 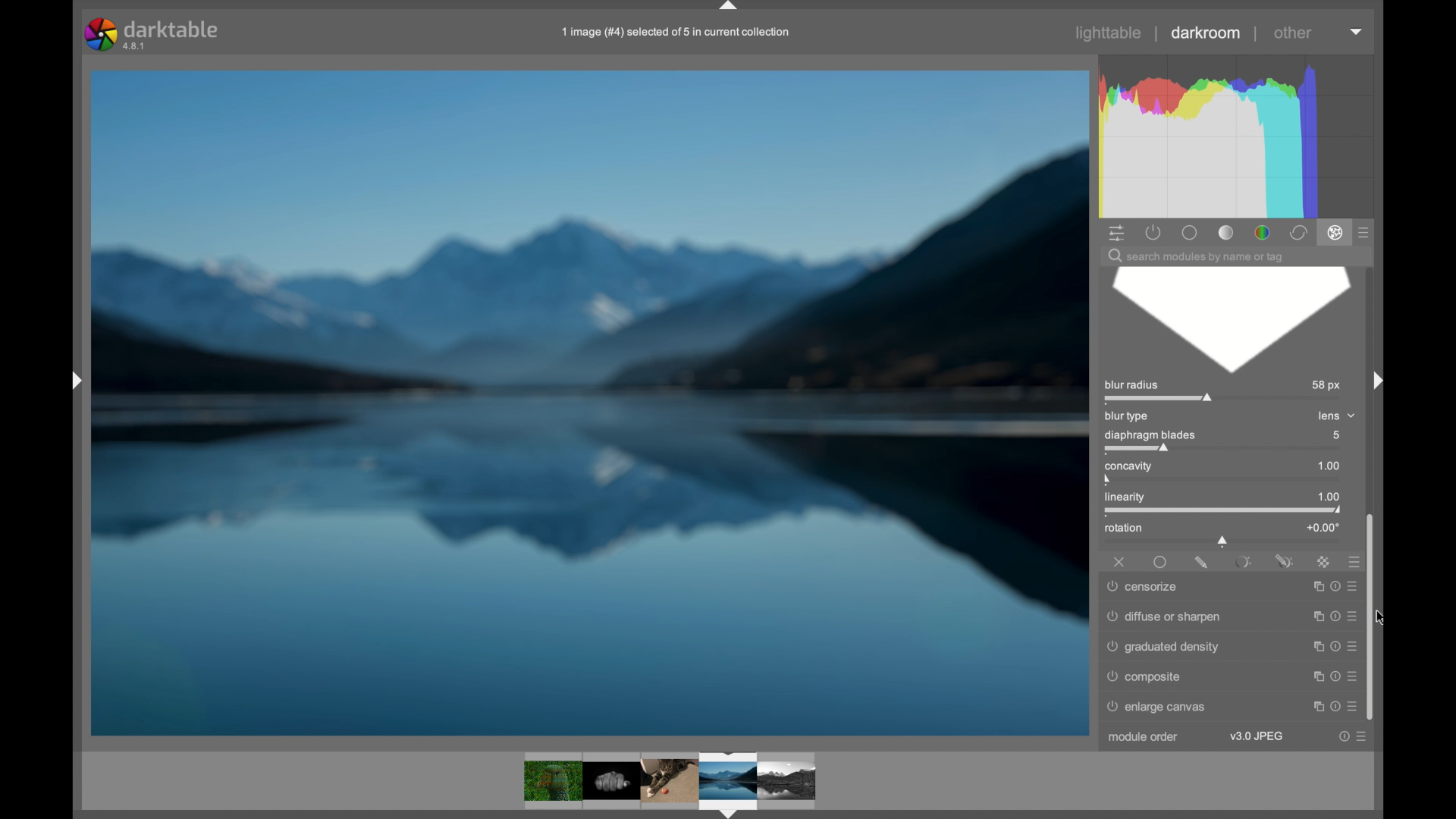 What do you see at coordinates (1333, 673) in the screenshot?
I see `help` at bounding box center [1333, 673].